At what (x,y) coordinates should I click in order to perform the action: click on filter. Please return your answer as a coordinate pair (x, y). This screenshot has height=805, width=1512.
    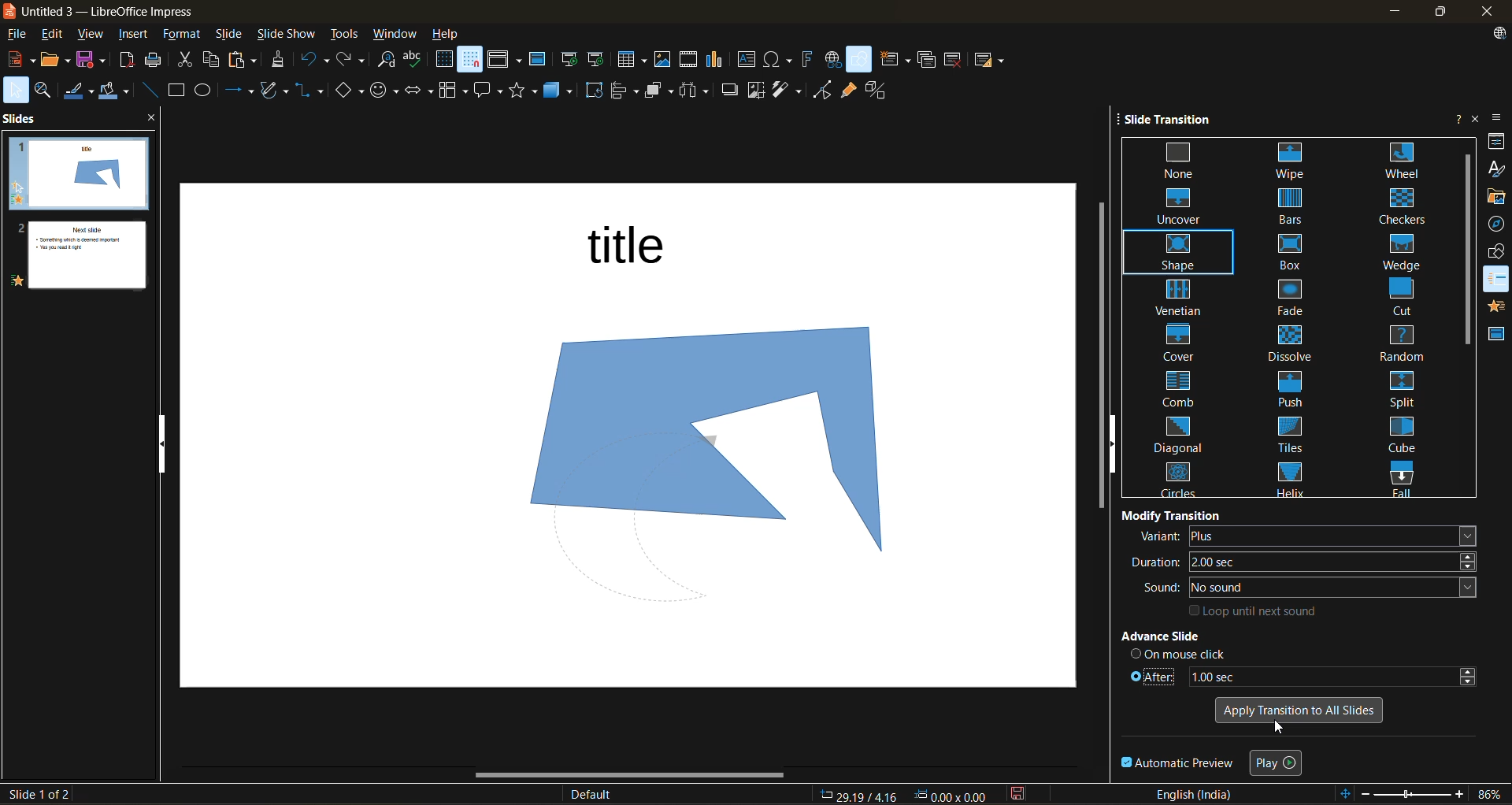
    Looking at the image, I should click on (789, 90).